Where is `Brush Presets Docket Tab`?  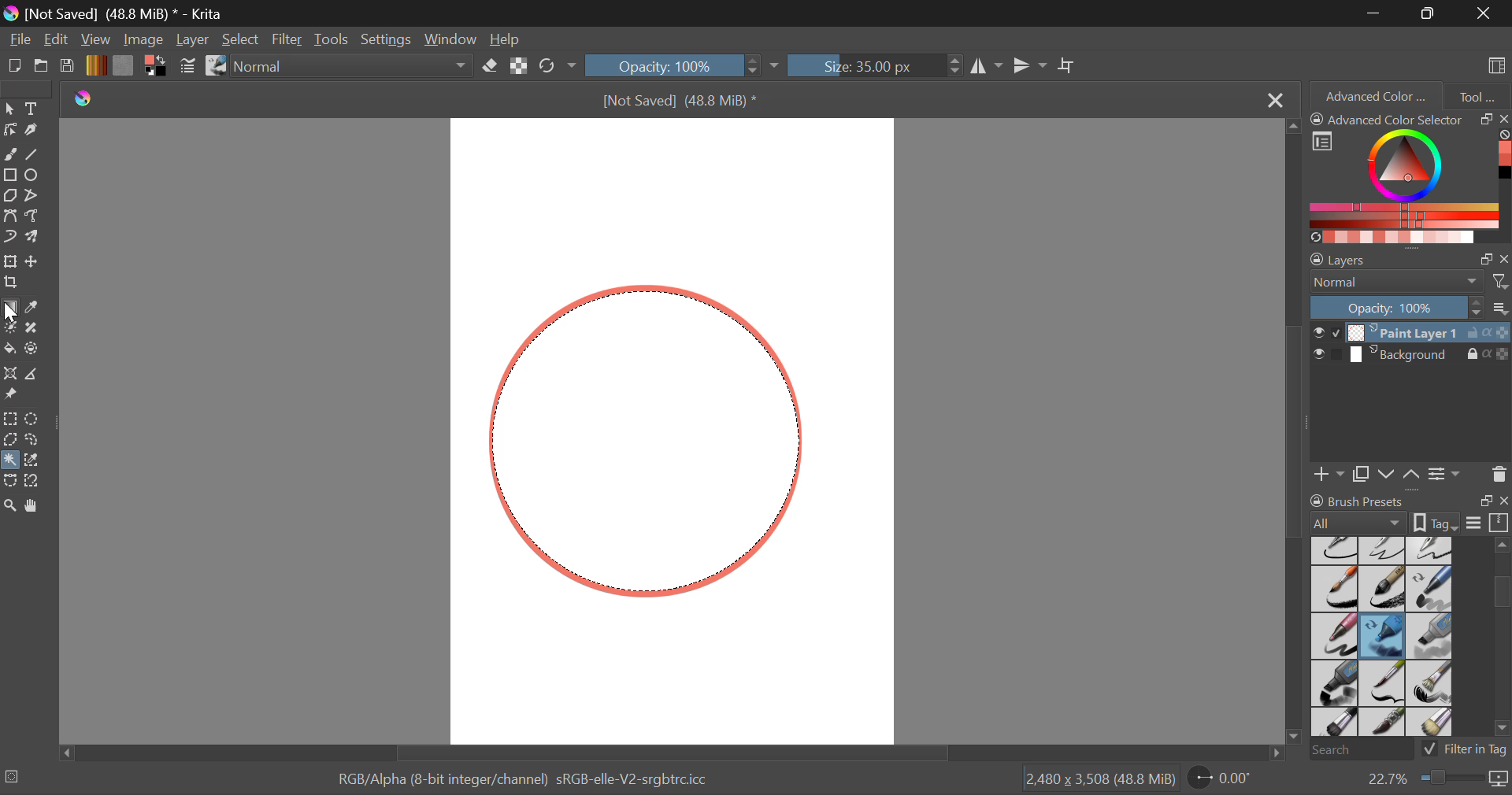
Brush Presets Docket Tab is located at coordinates (1409, 509).